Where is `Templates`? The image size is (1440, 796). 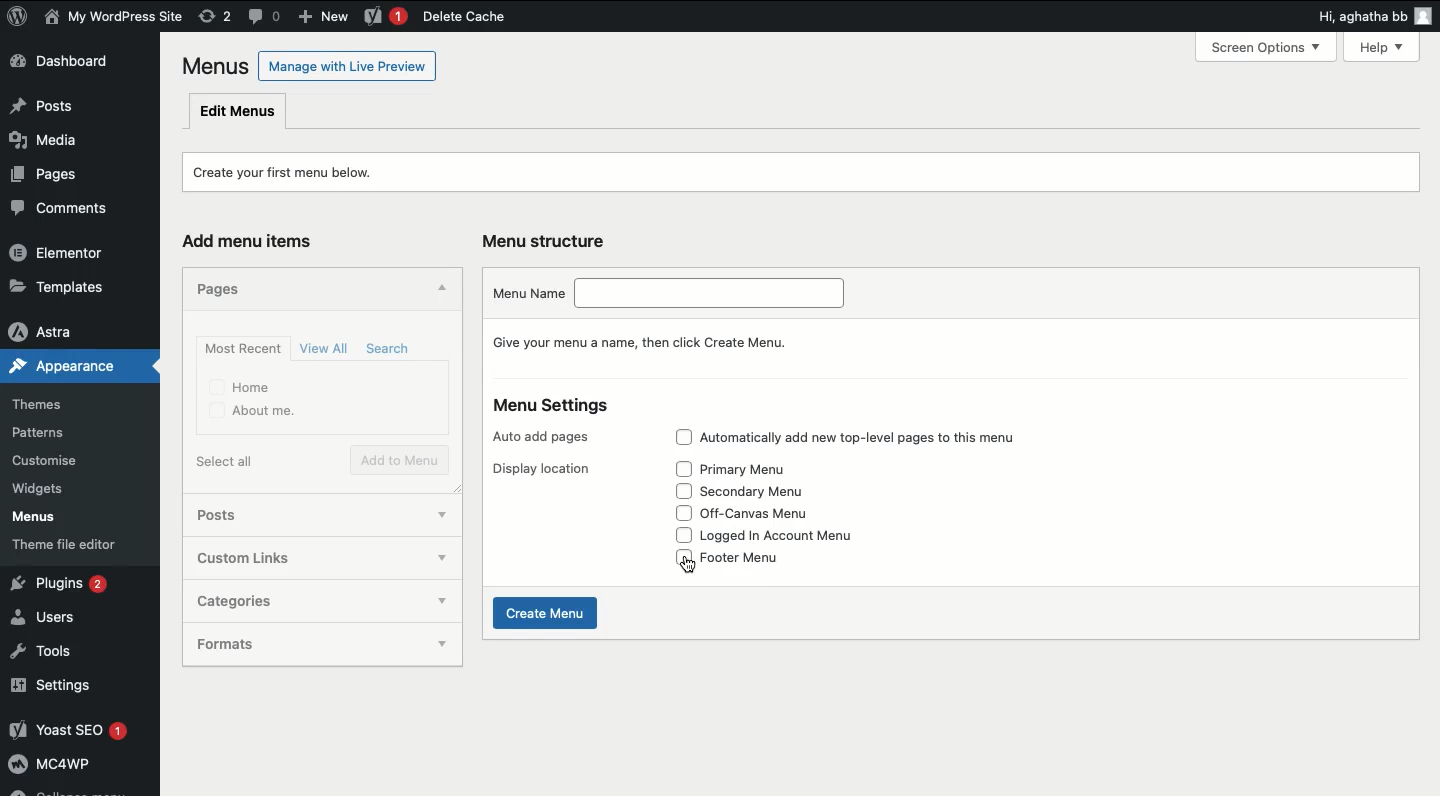
Templates is located at coordinates (70, 284).